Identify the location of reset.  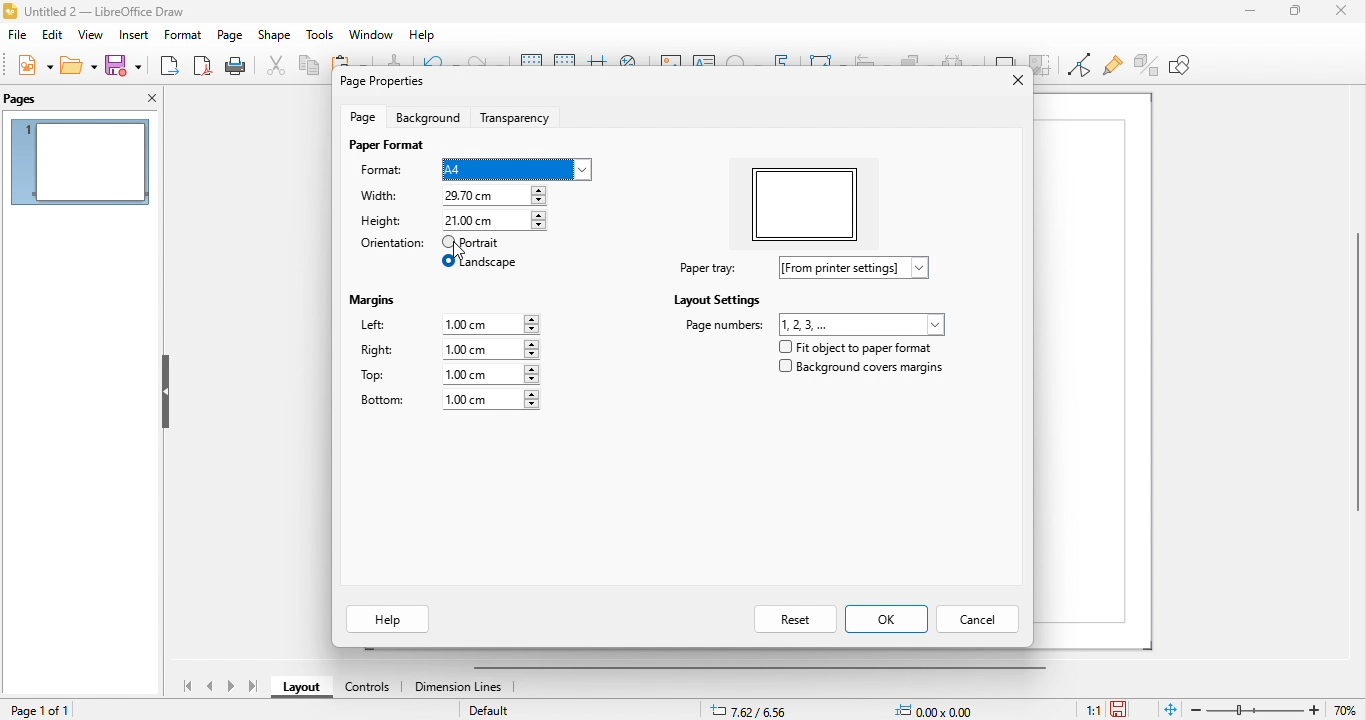
(777, 619).